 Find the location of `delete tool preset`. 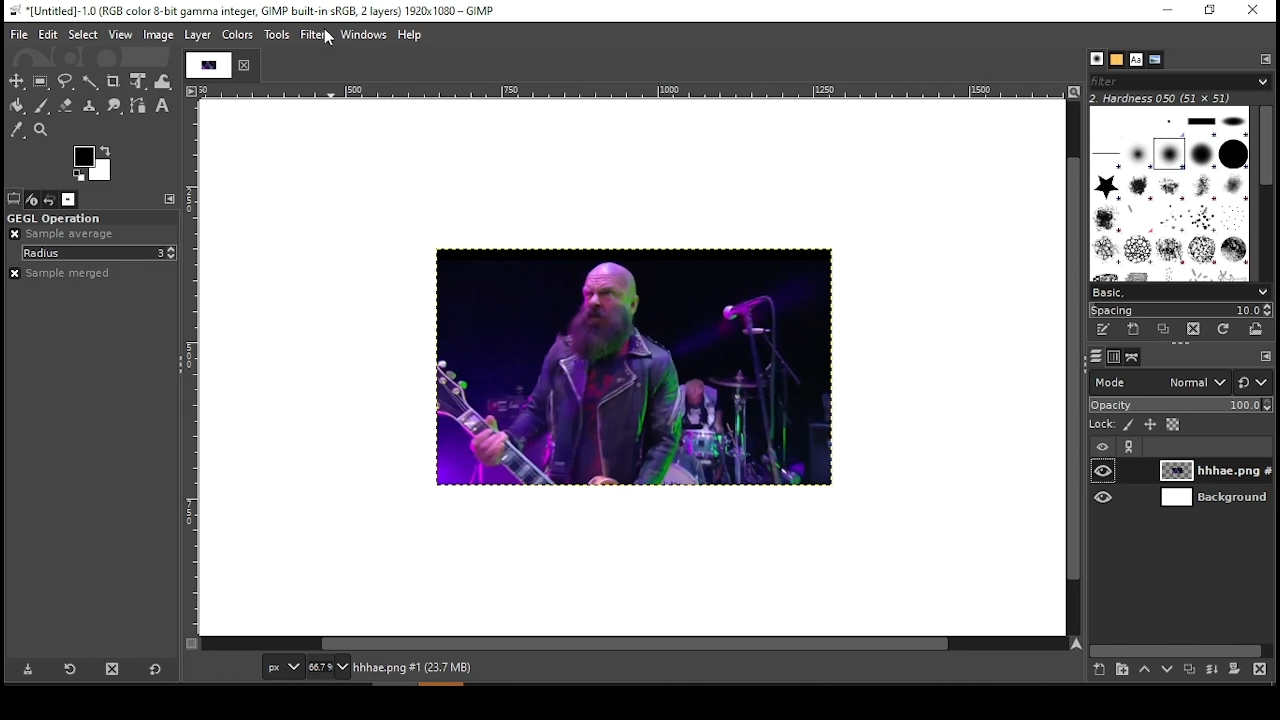

delete tool preset is located at coordinates (112, 668).